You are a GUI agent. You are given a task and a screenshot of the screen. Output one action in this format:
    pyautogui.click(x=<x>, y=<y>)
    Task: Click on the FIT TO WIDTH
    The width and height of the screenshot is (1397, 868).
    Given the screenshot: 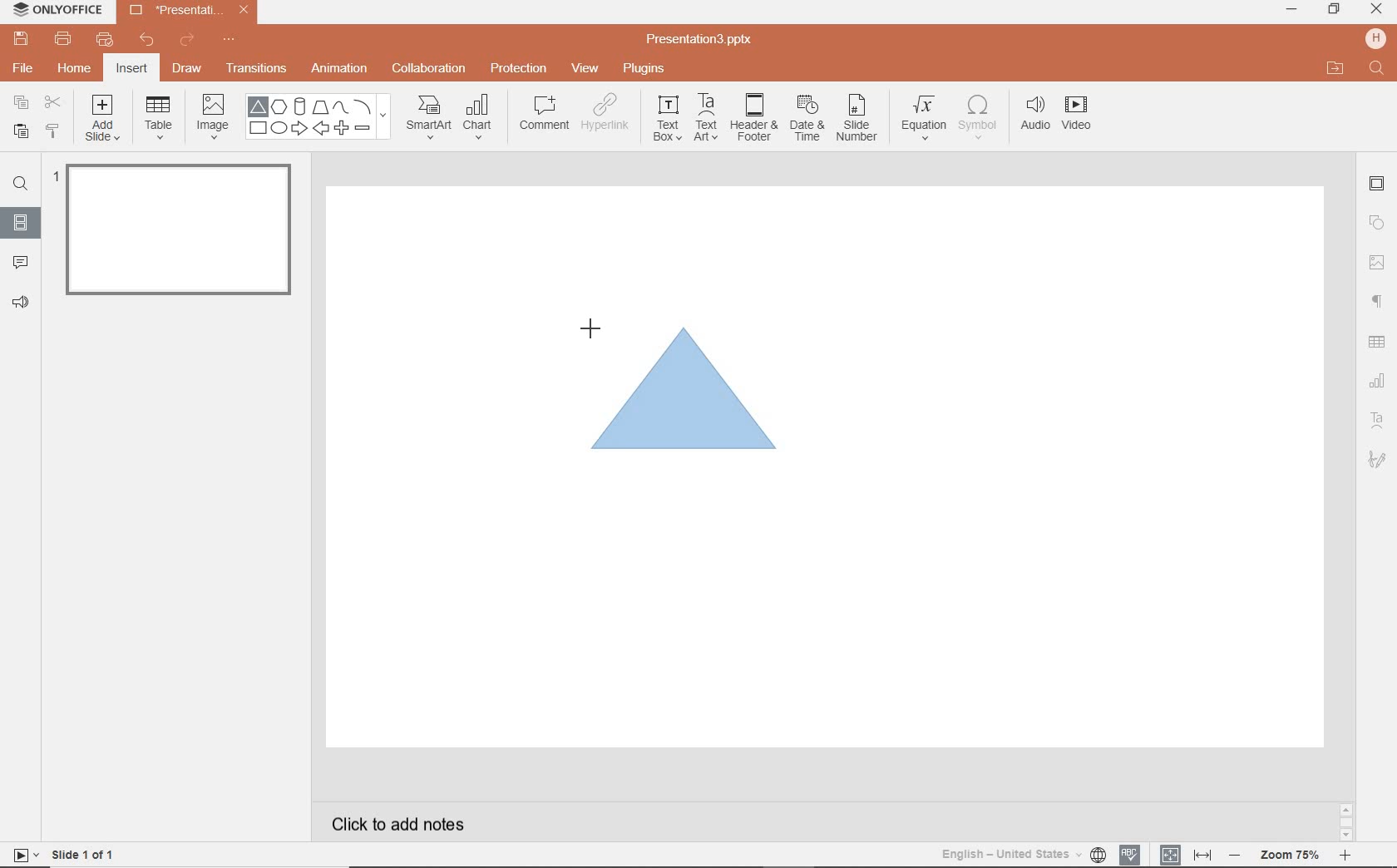 What is the action you would take?
    pyautogui.click(x=1202, y=856)
    